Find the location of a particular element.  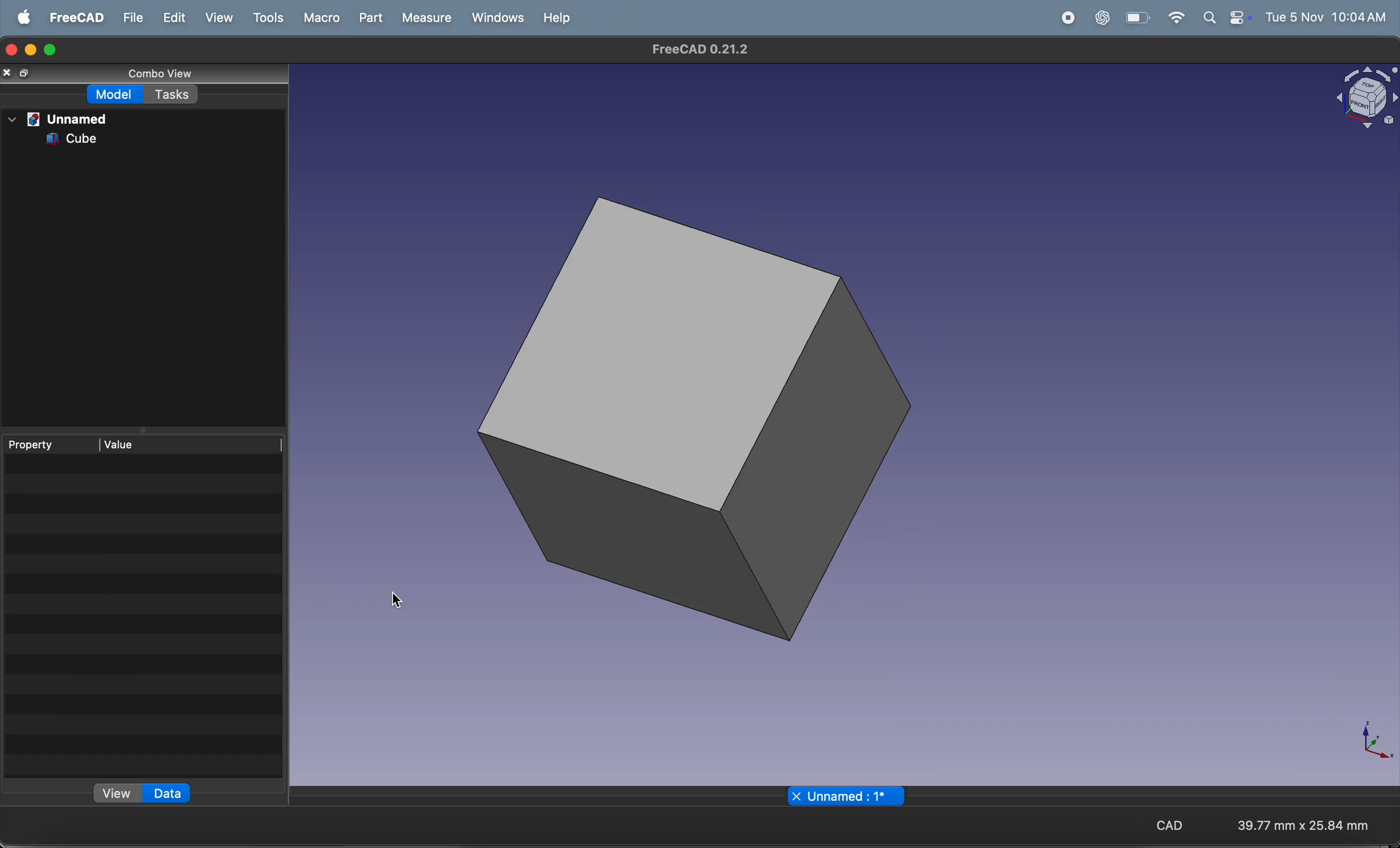

tasks is located at coordinates (179, 97).